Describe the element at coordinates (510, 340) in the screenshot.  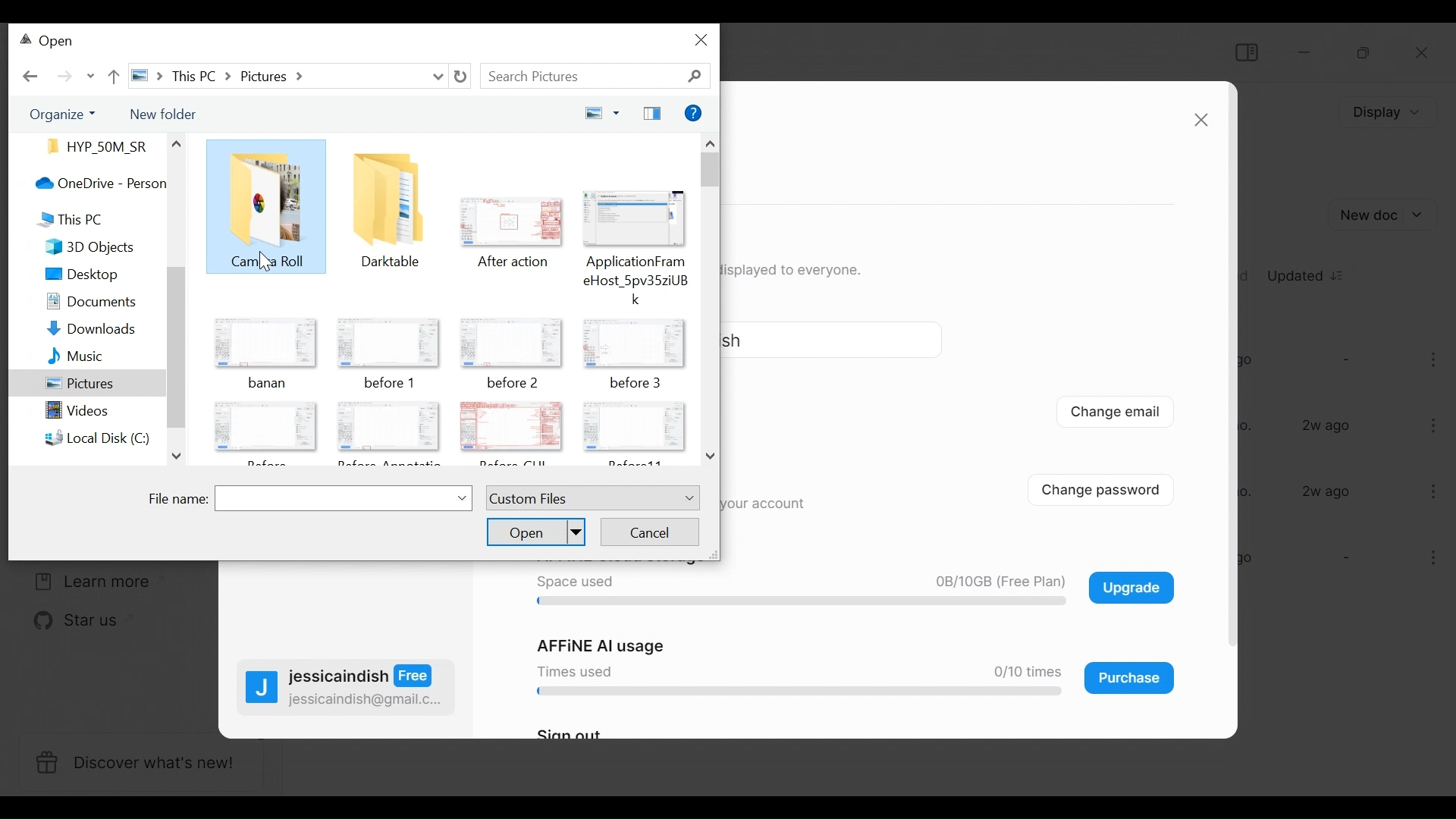
I see `icon` at that location.